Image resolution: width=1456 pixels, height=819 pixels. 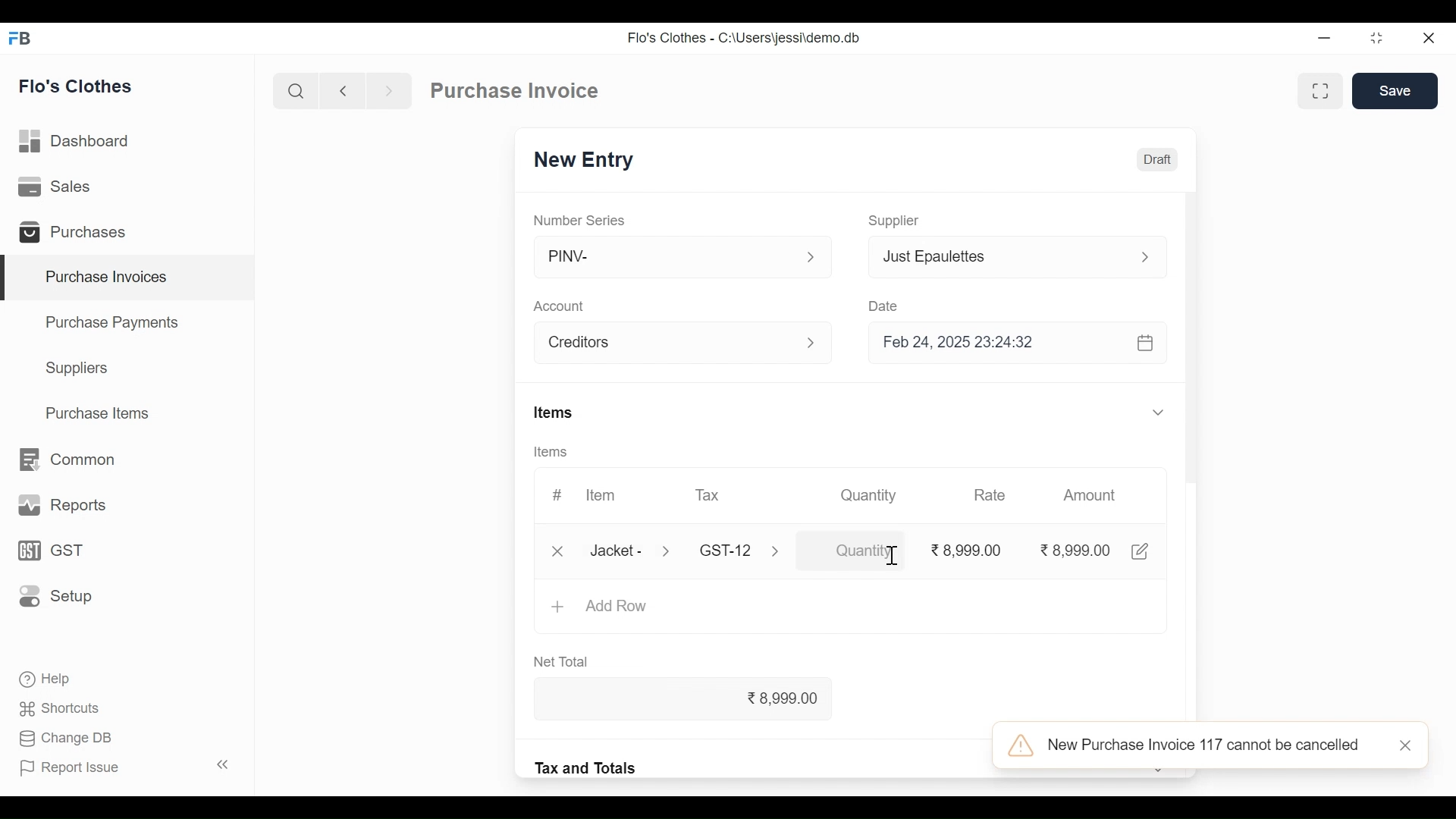 What do you see at coordinates (557, 608) in the screenshot?
I see `+` at bounding box center [557, 608].